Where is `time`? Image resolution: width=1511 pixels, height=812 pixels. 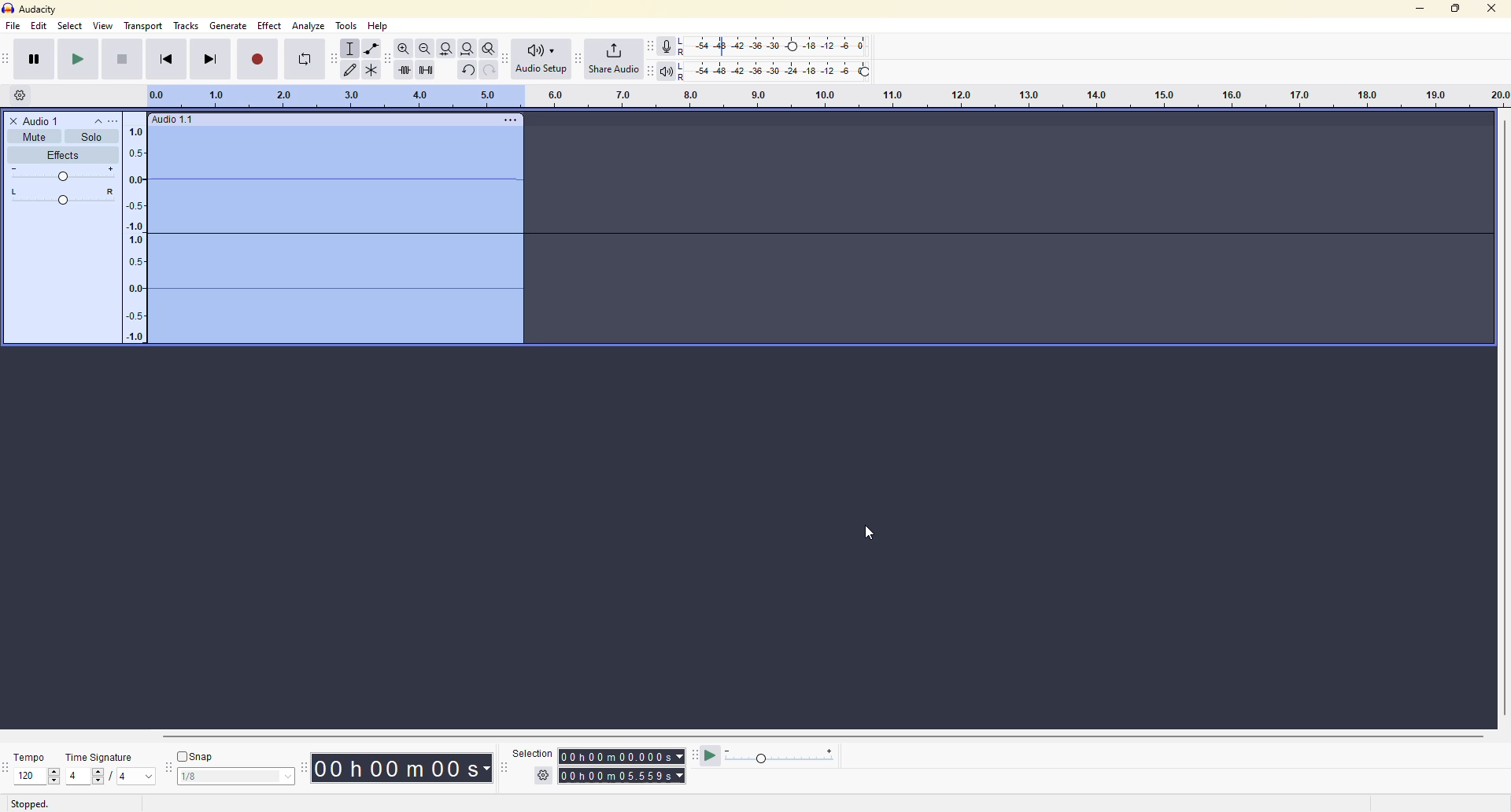
time is located at coordinates (623, 753).